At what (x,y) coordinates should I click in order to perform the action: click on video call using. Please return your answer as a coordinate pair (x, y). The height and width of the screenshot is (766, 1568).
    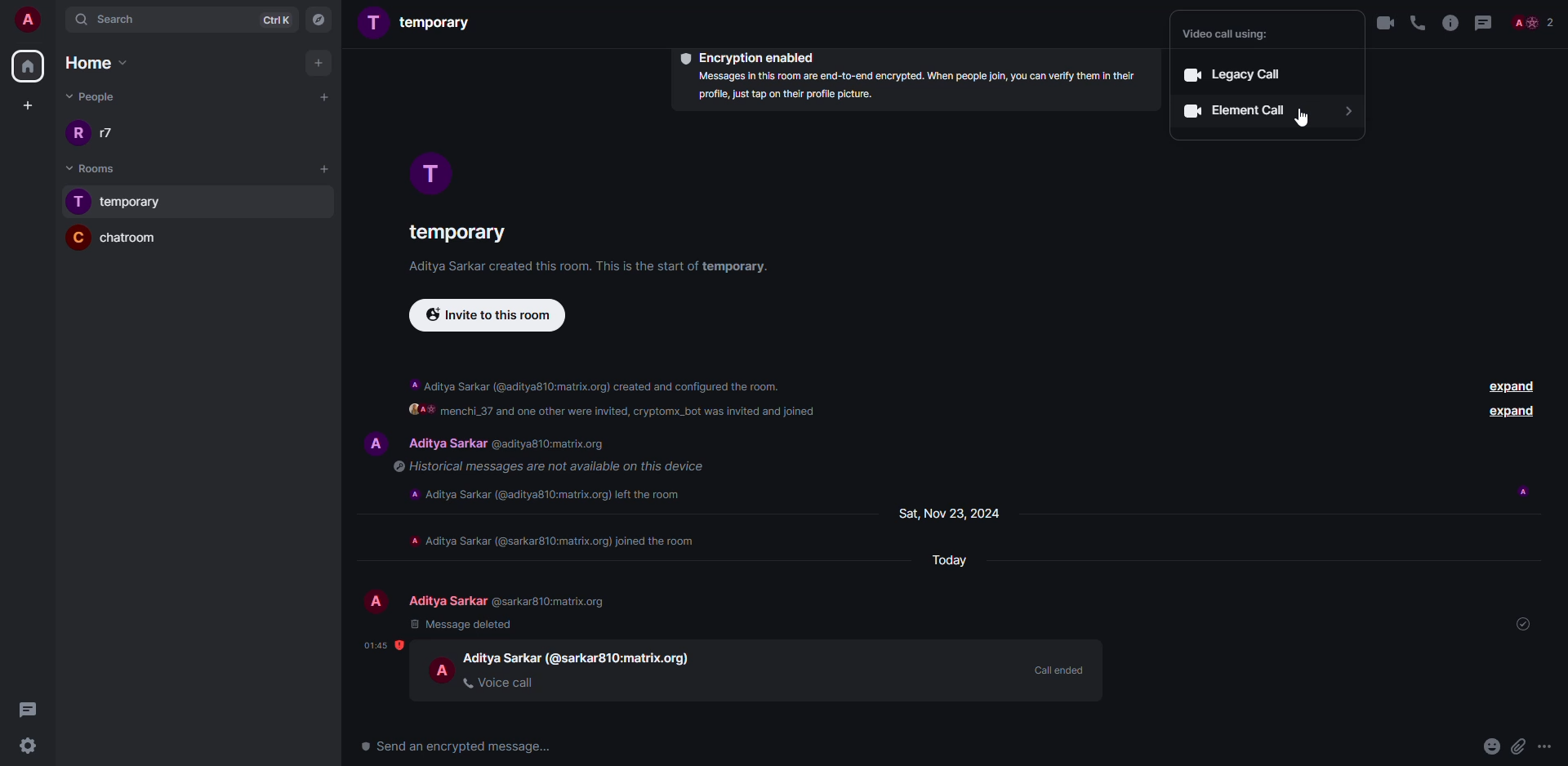
    Looking at the image, I should click on (1233, 34).